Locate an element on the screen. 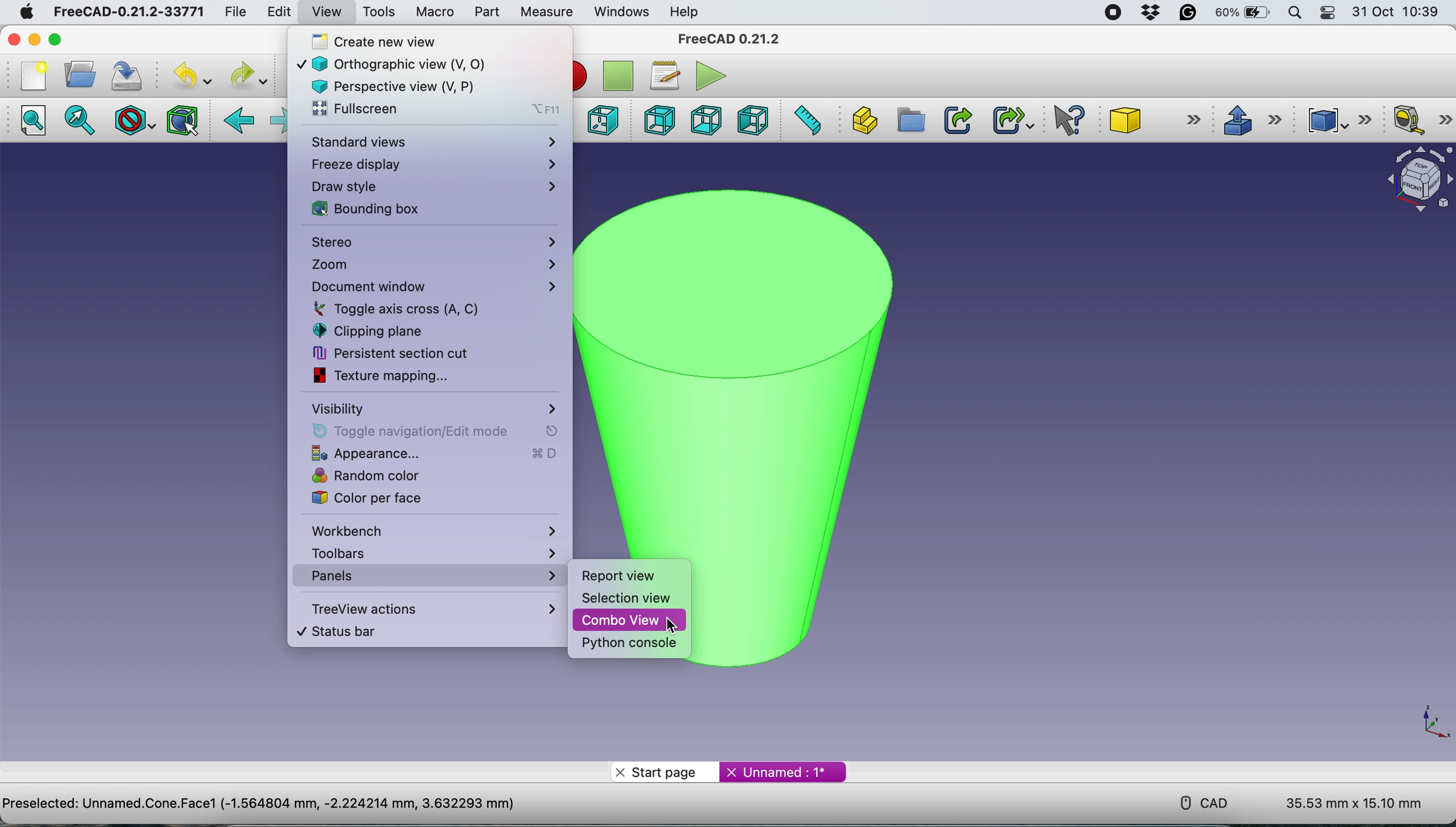 Image resolution: width=1456 pixels, height=827 pixels. 60% is located at coordinates (1244, 14).